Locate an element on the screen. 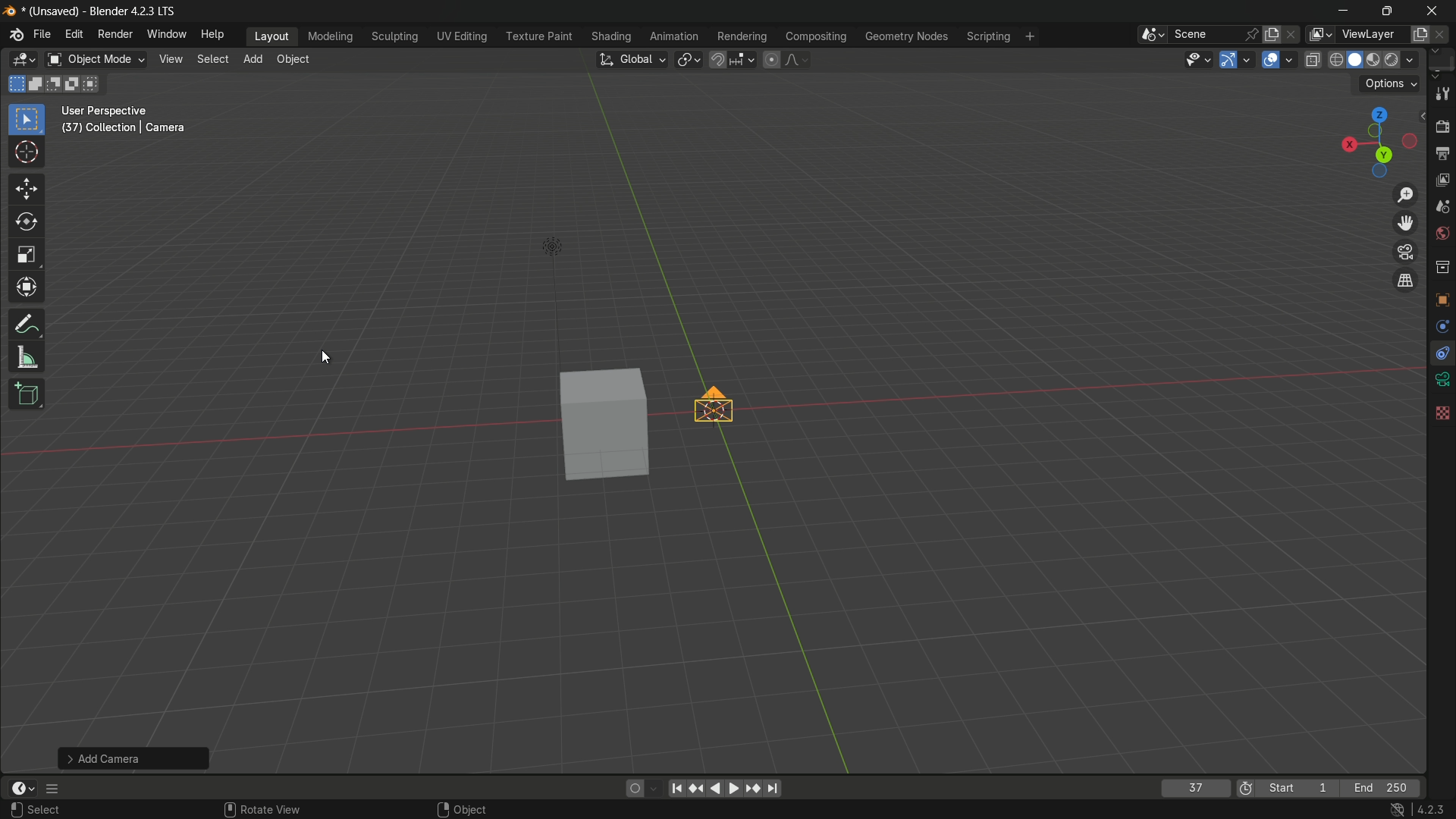  toggle the camera view is located at coordinates (1405, 251).